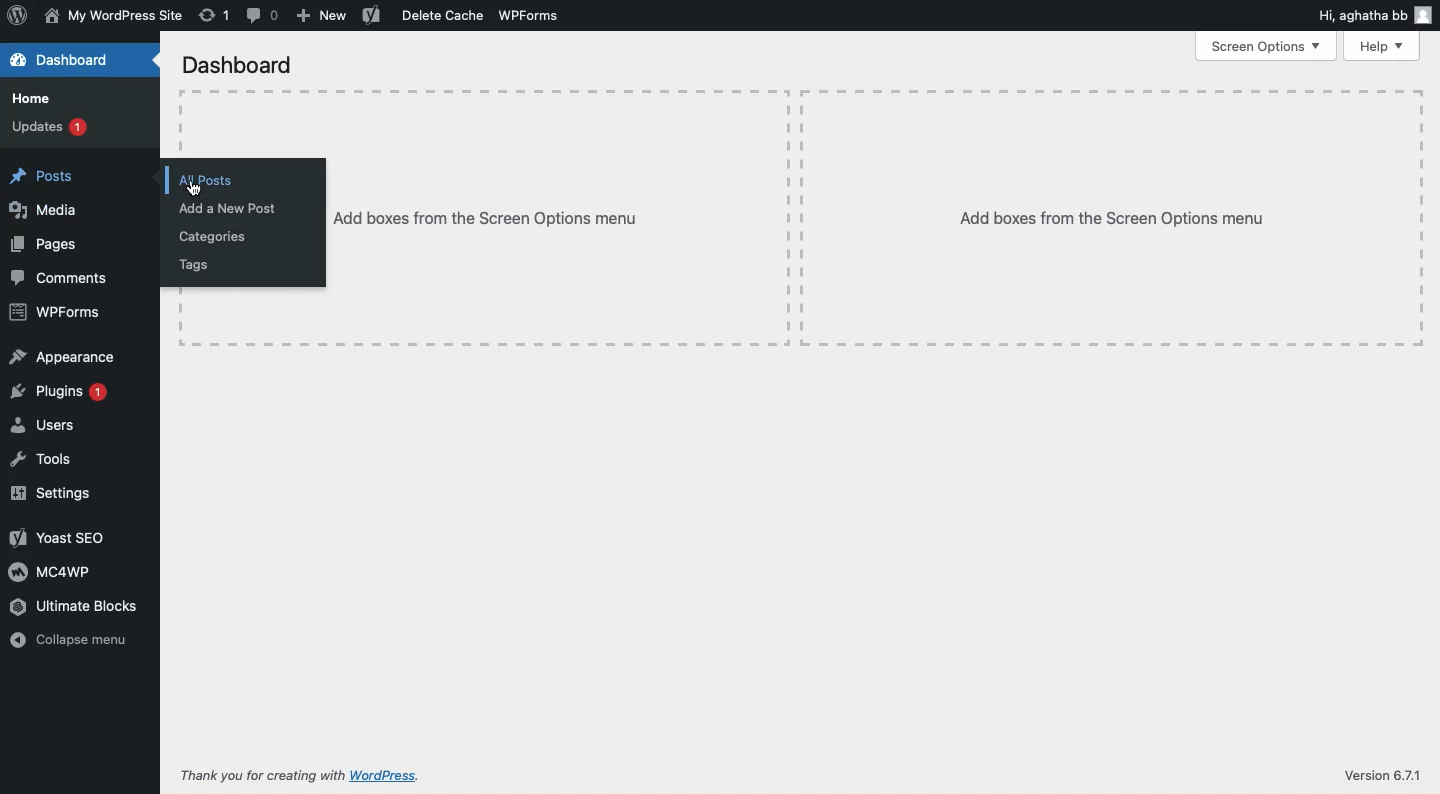 This screenshot has width=1440, height=794. Describe the element at coordinates (322, 14) in the screenshot. I see `New` at that location.